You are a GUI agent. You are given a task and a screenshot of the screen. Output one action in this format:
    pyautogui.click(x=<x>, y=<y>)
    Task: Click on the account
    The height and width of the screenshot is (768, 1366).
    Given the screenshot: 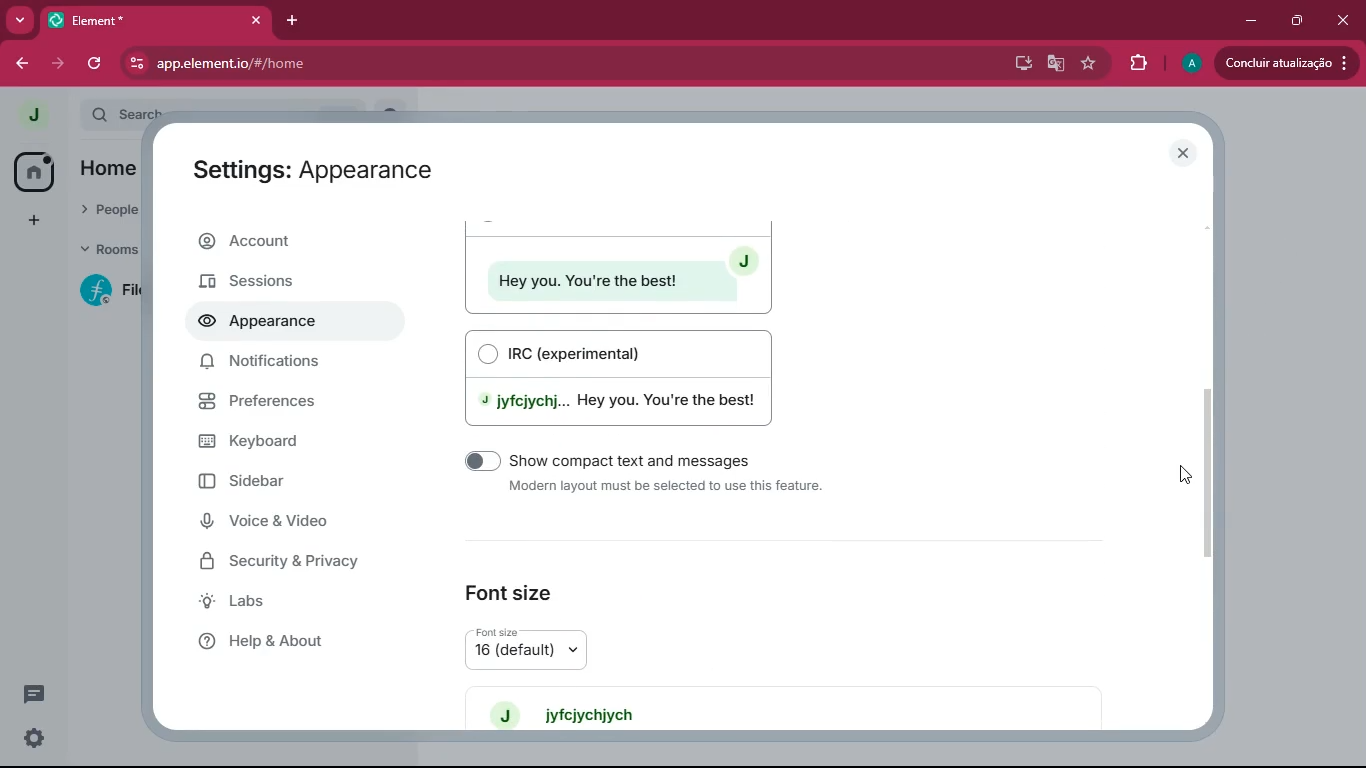 What is the action you would take?
    pyautogui.click(x=294, y=244)
    